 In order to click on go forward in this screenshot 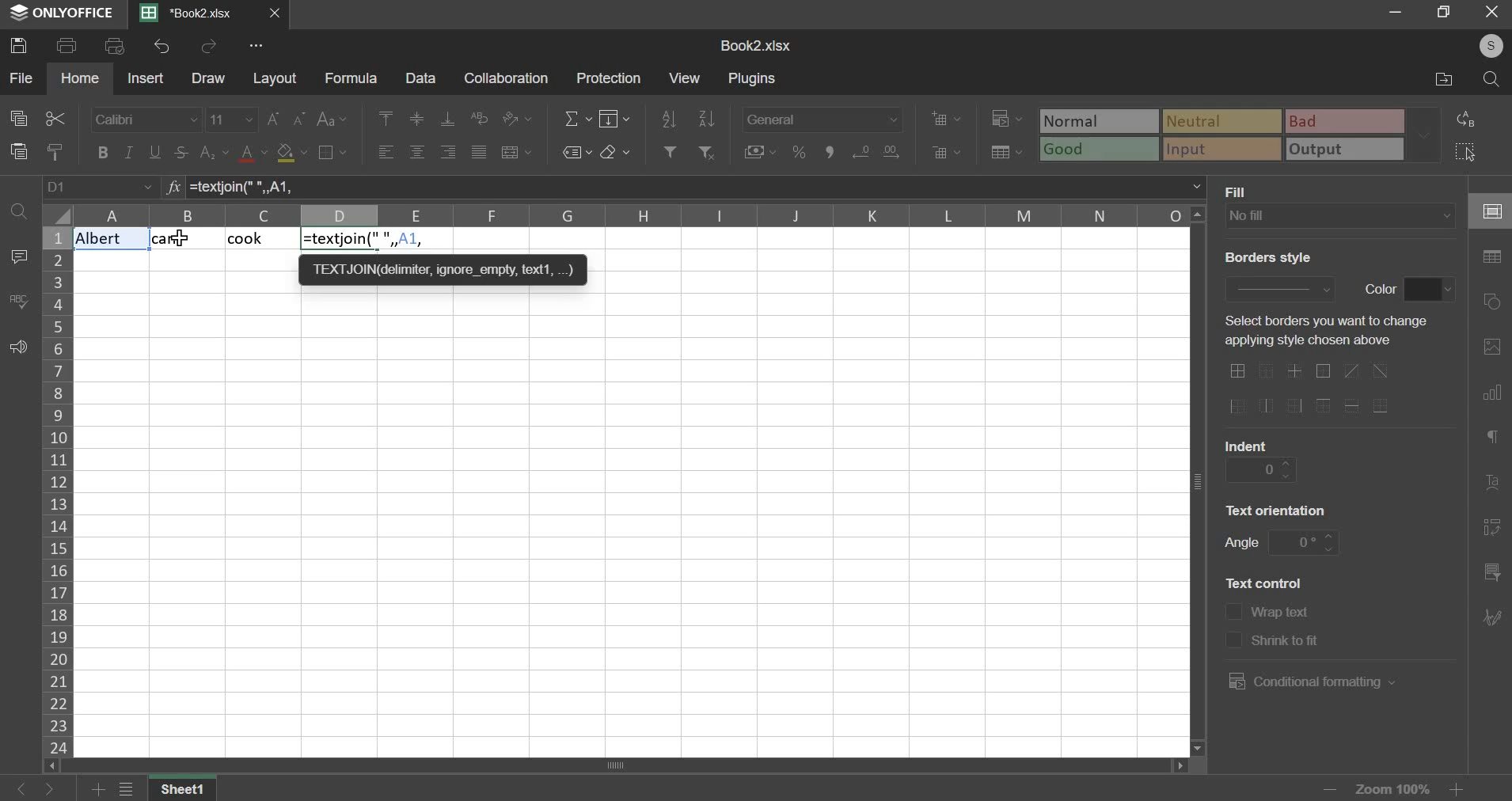, I will do `click(61, 789)`.